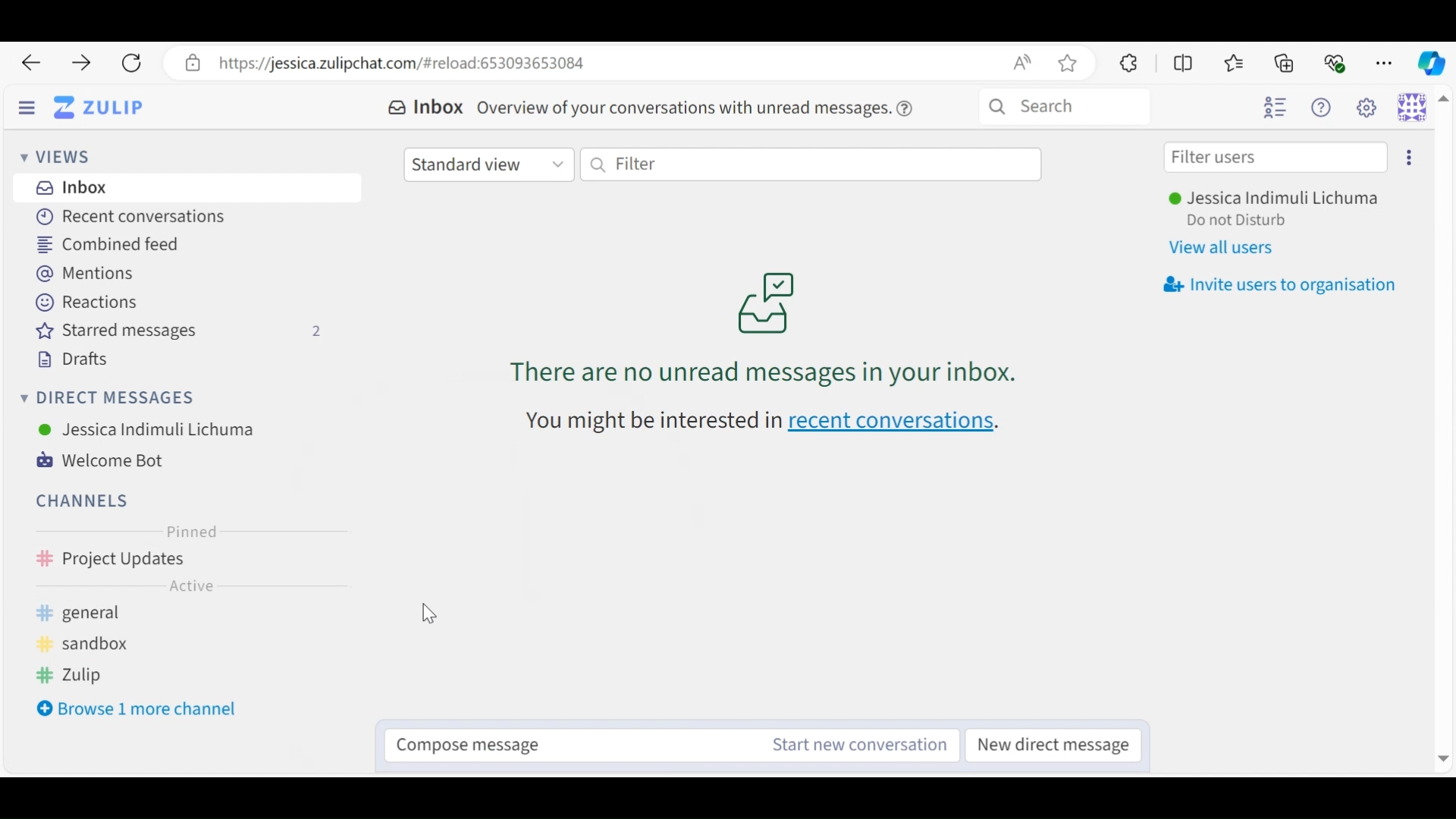 The image size is (1456, 819). What do you see at coordinates (77, 679) in the screenshot?
I see `zulip` at bounding box center [77, 679].